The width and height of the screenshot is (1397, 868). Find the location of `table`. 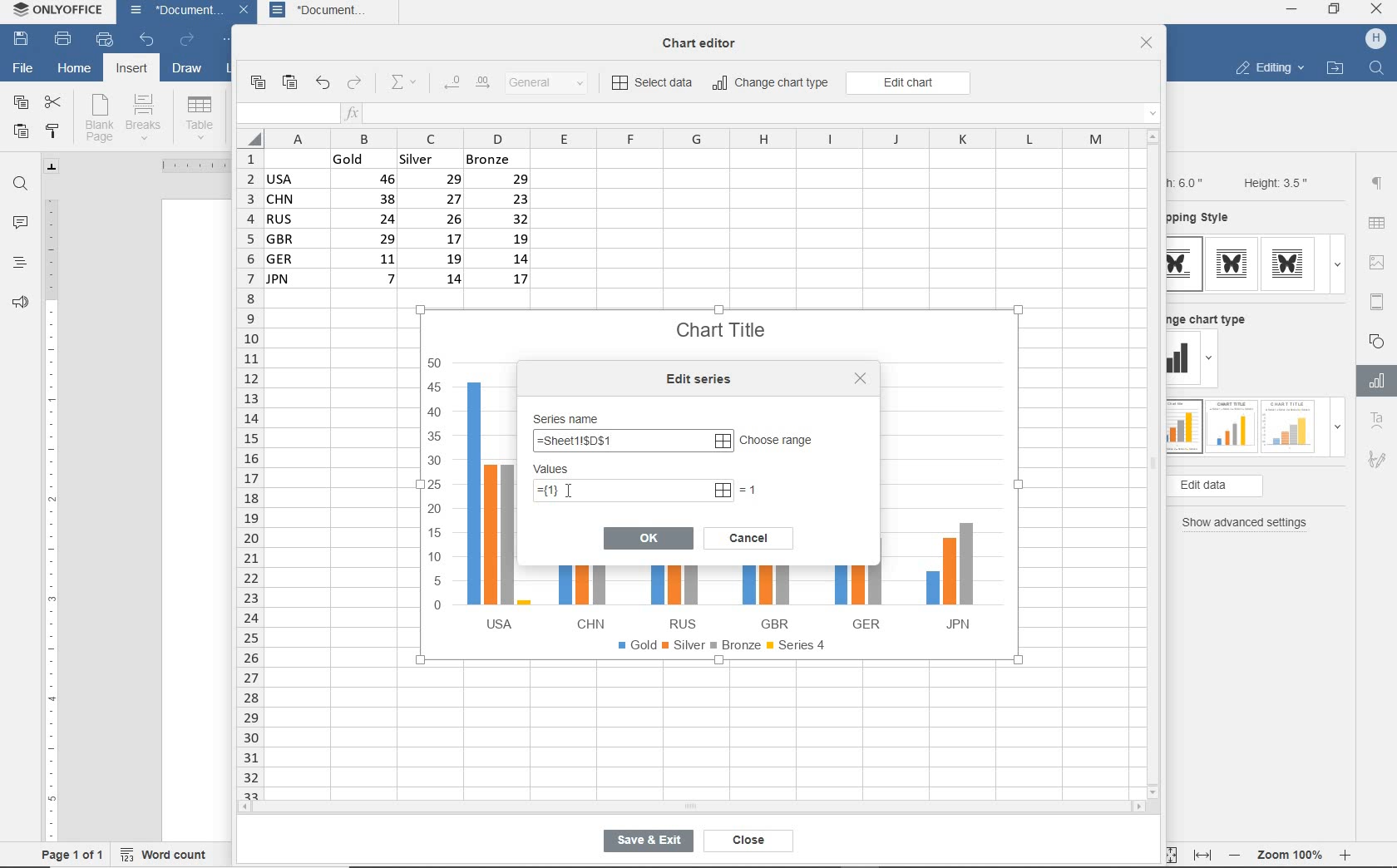

table is located at coordinates (200, 117).